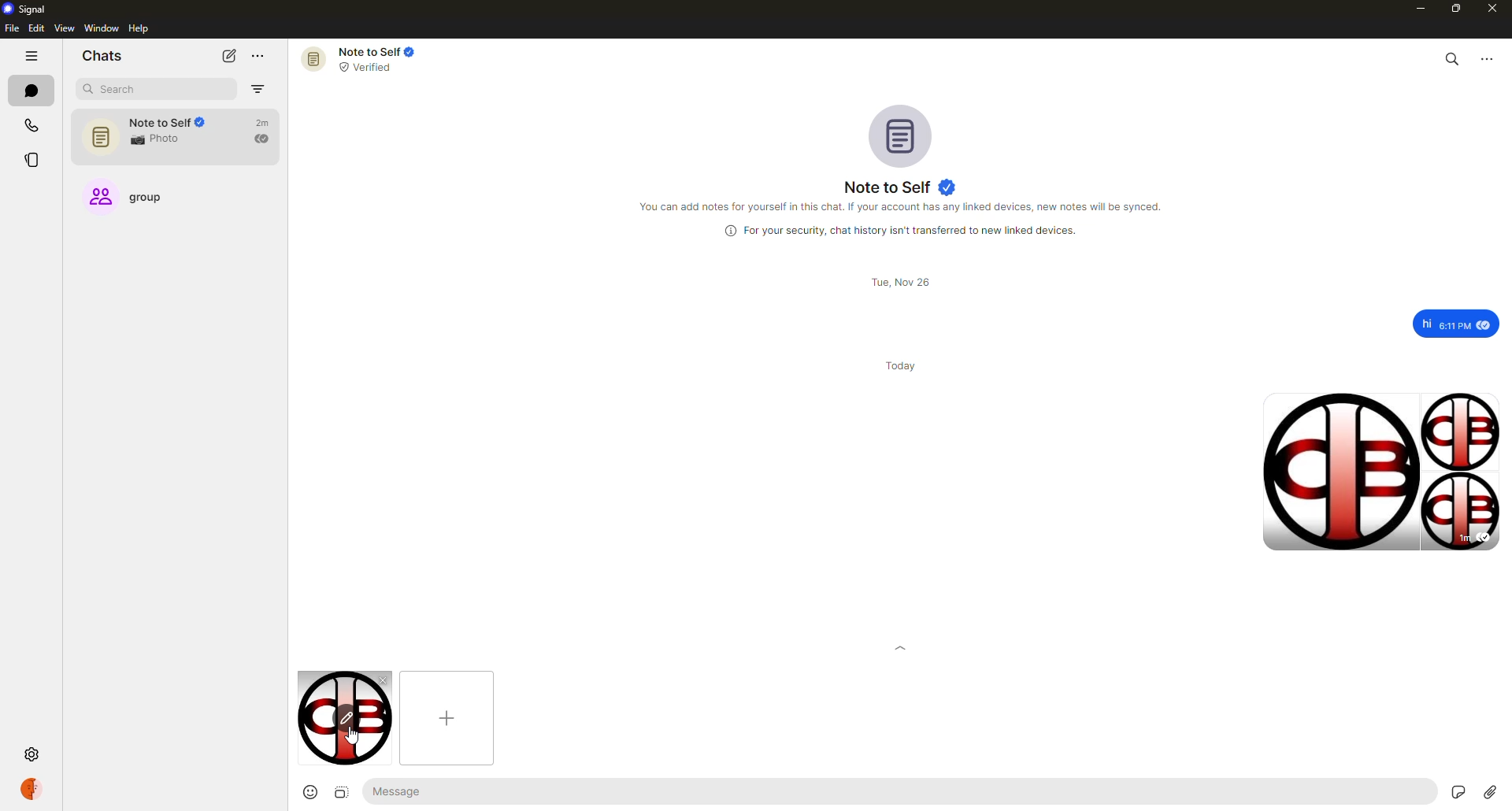 Image resolution: width=1512 pixels, height=811 pixels. What do you see at coordinates (31, 157) in the screenshot?
I see `stories` at bounding box center [31, 157].